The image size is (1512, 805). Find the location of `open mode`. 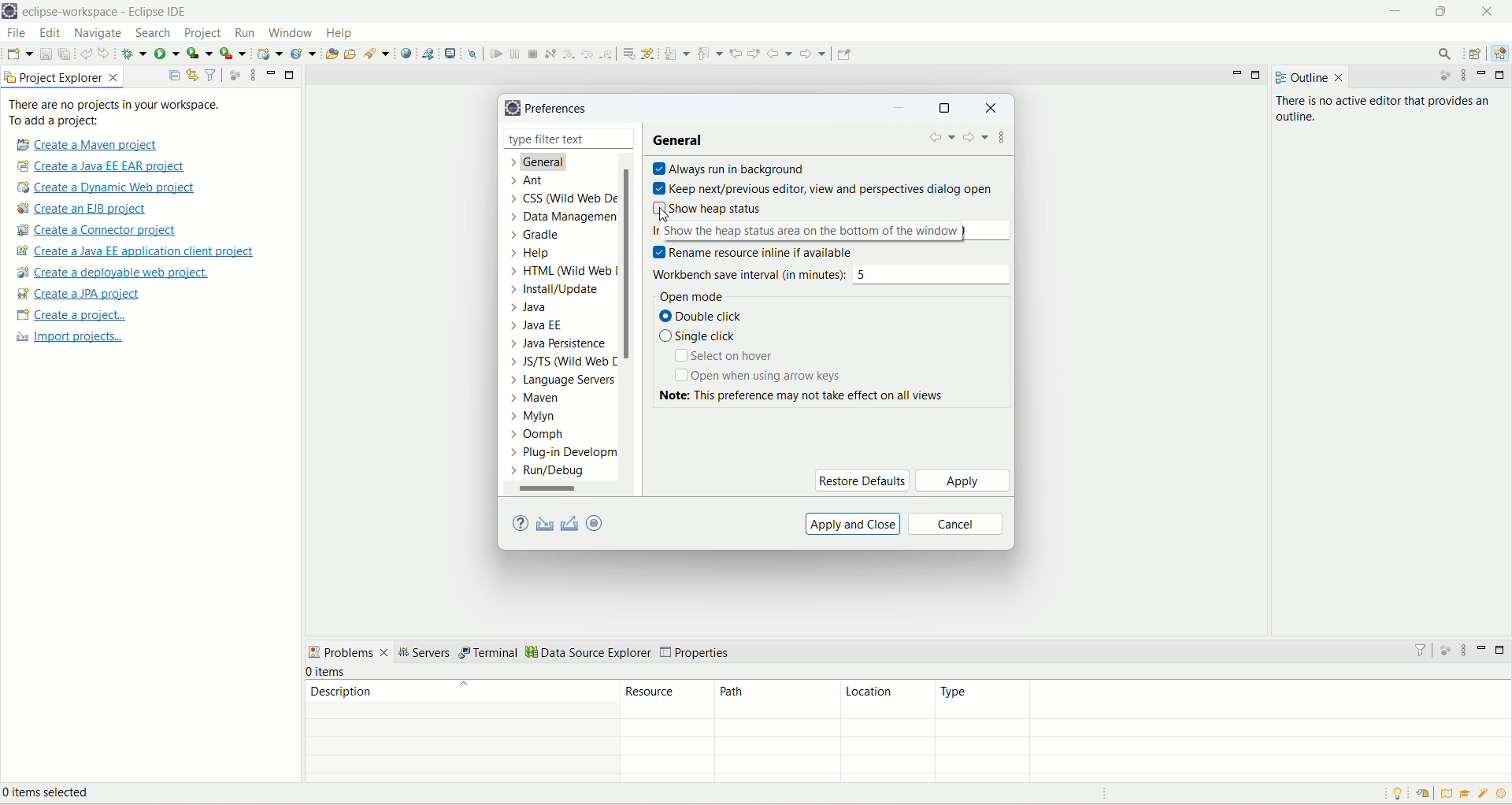

open mode is located at coordinates (688, 295).